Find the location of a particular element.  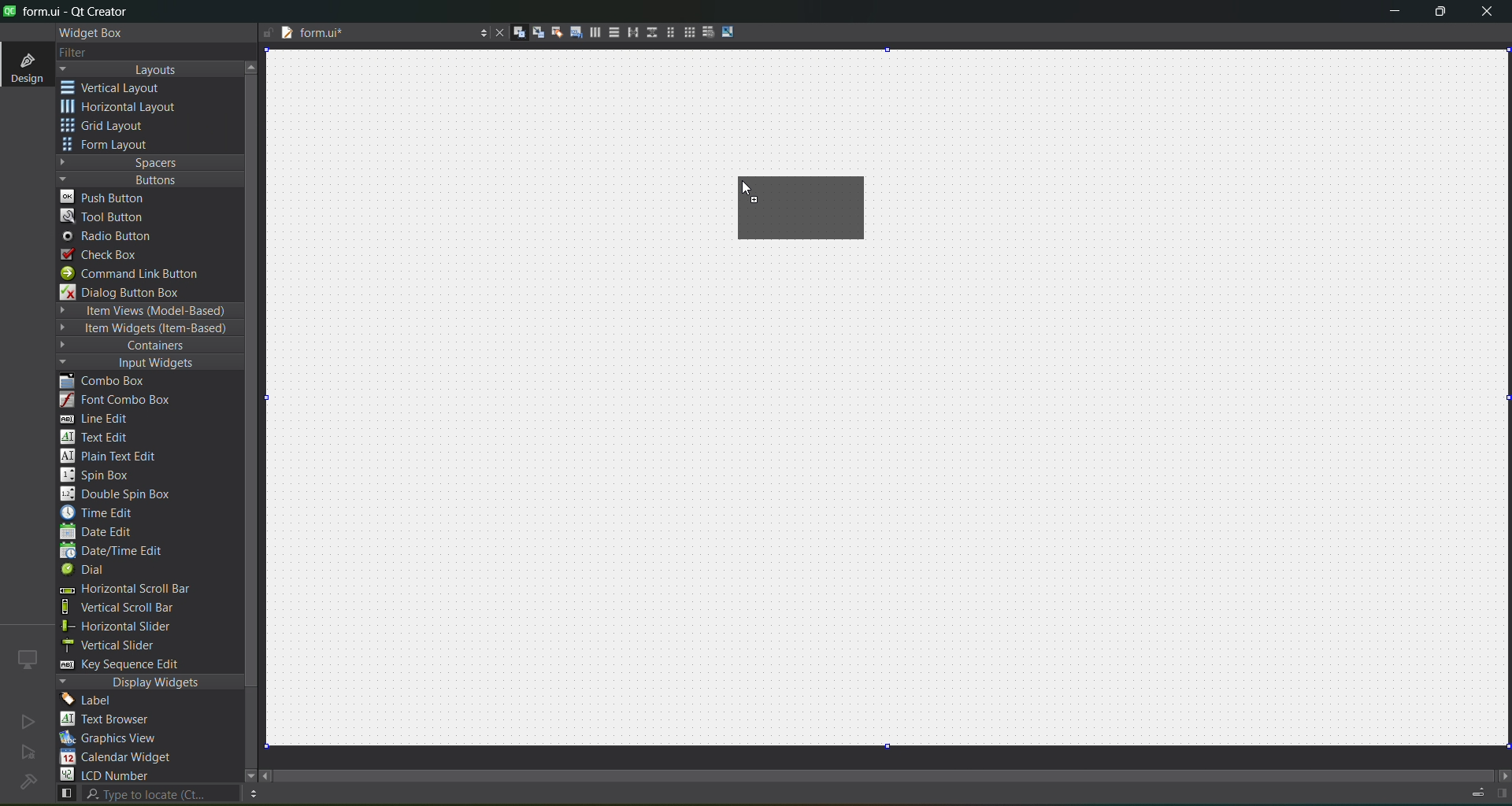

label is located at coordinates (91, 701).